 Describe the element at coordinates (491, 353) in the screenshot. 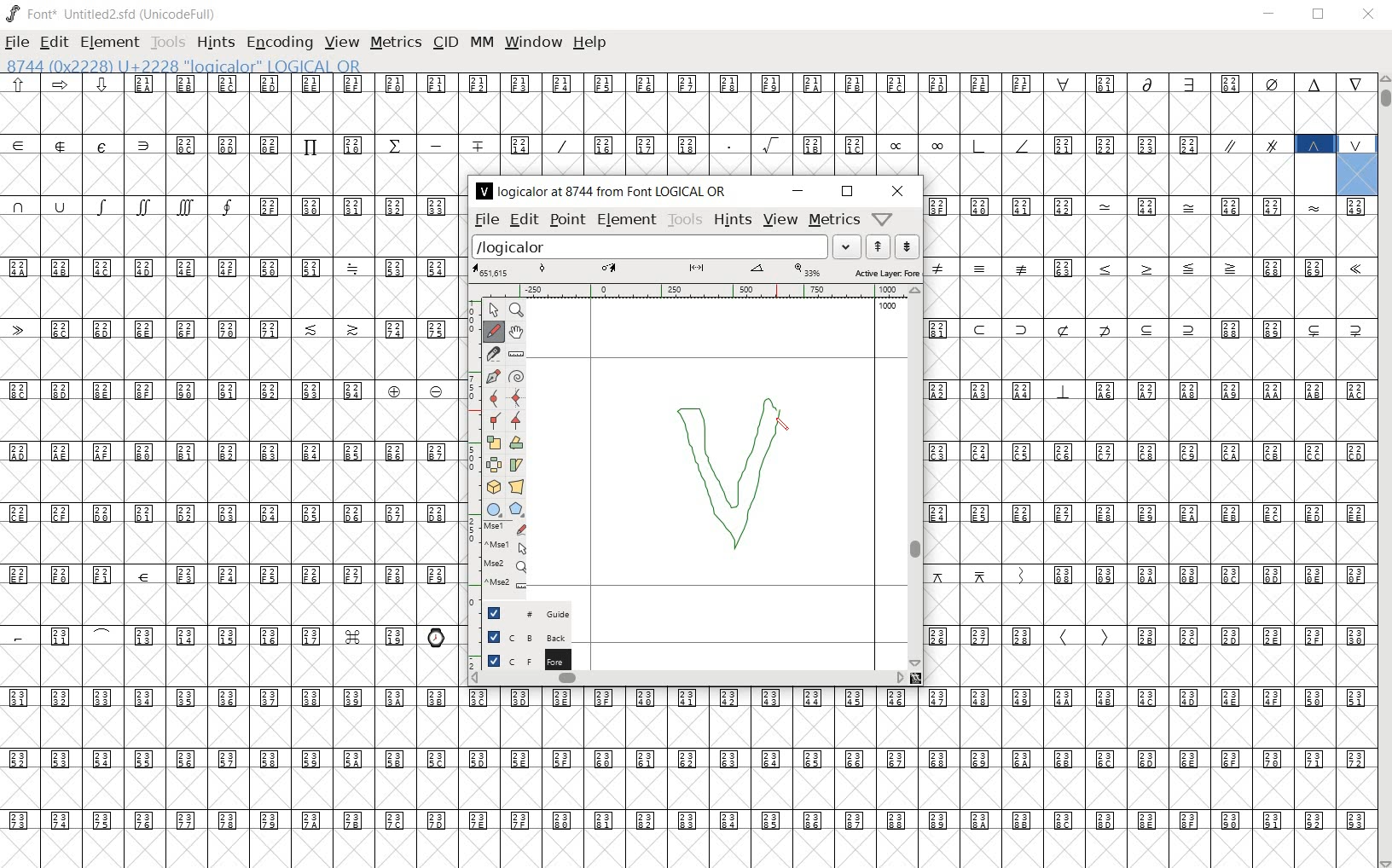

I see `cut splines in two` at that location.